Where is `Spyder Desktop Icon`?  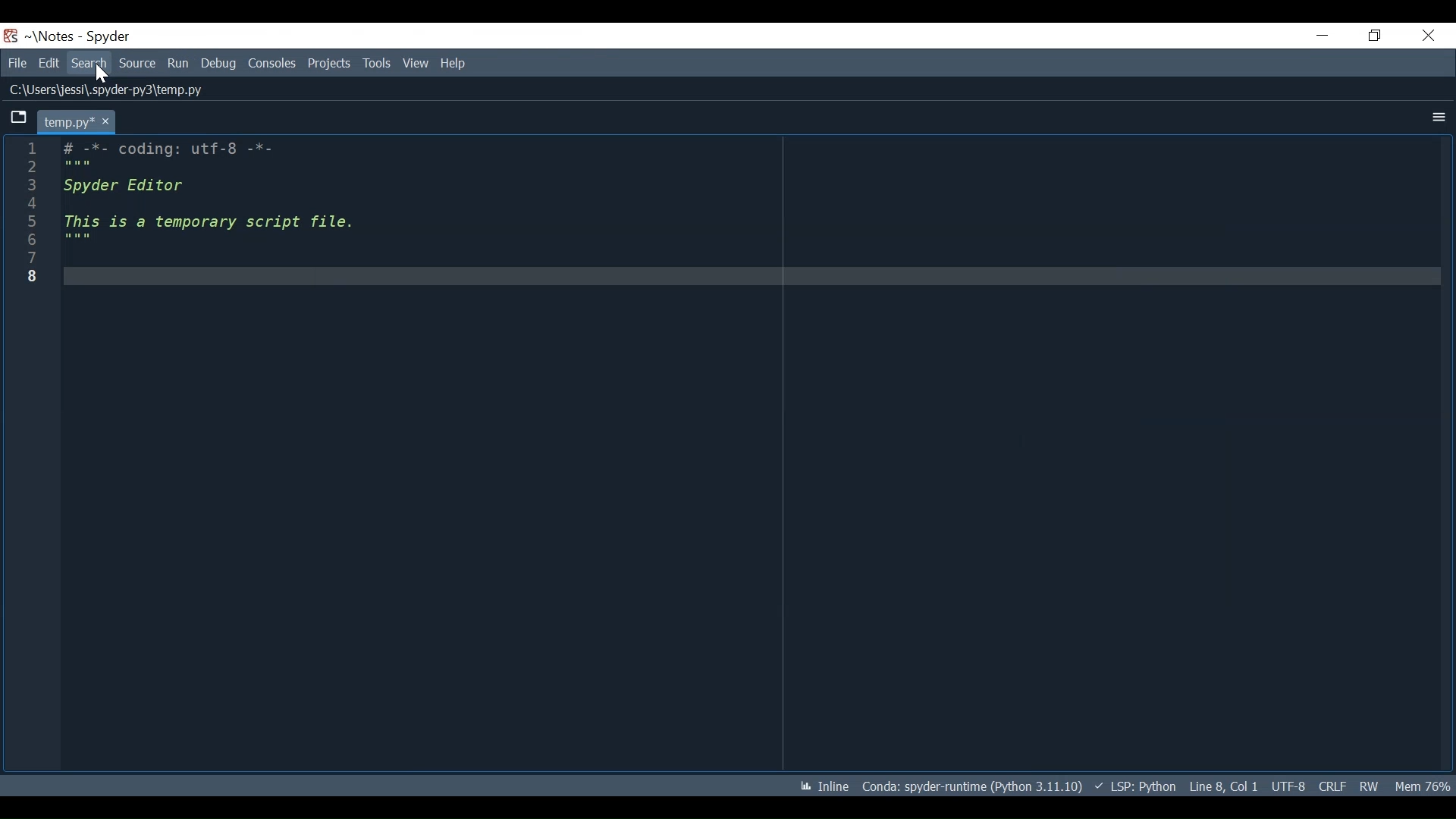
Spyder Desktop Icon is located at coordinates (12, 36).